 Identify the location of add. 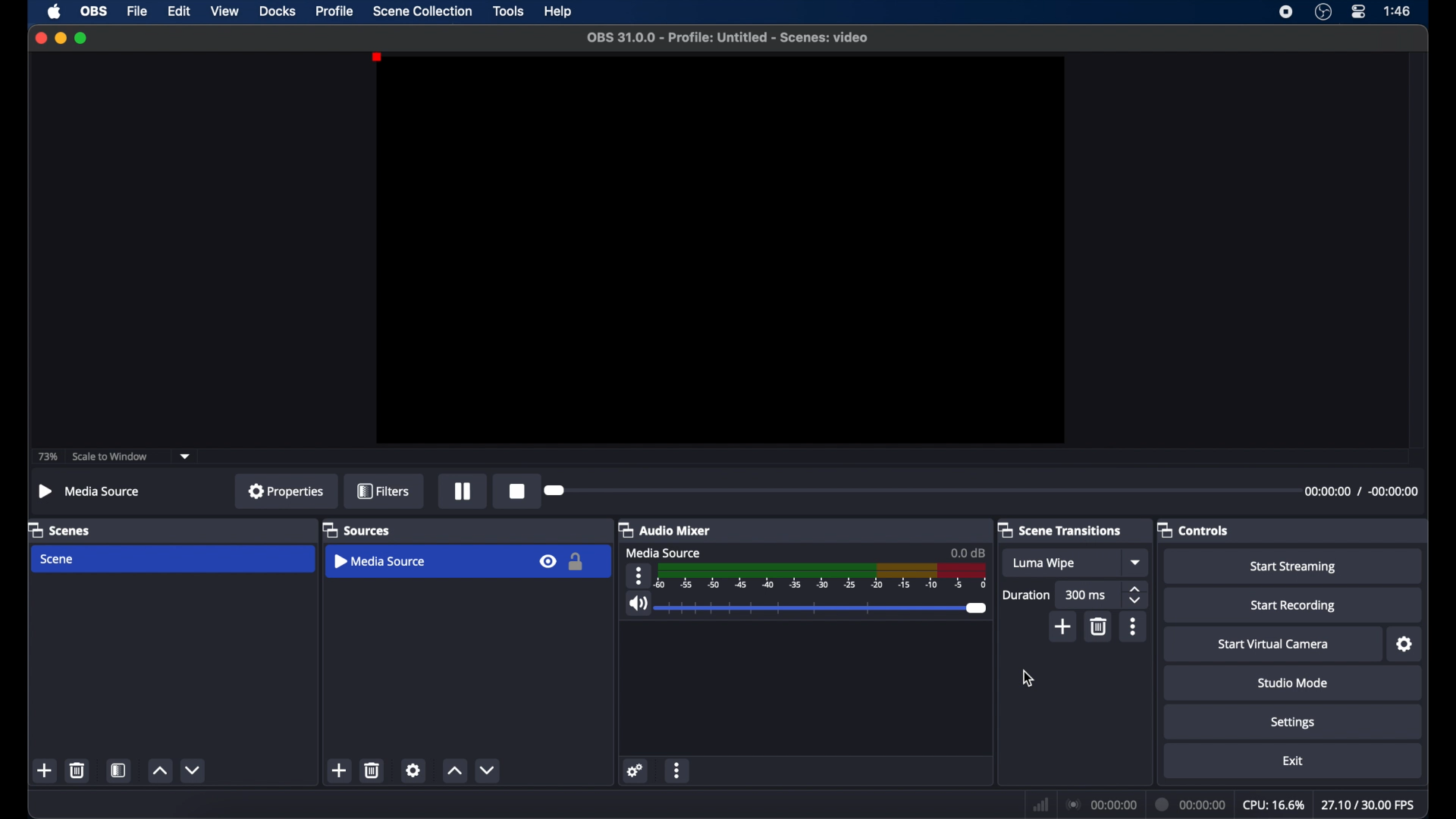
(45, 770).